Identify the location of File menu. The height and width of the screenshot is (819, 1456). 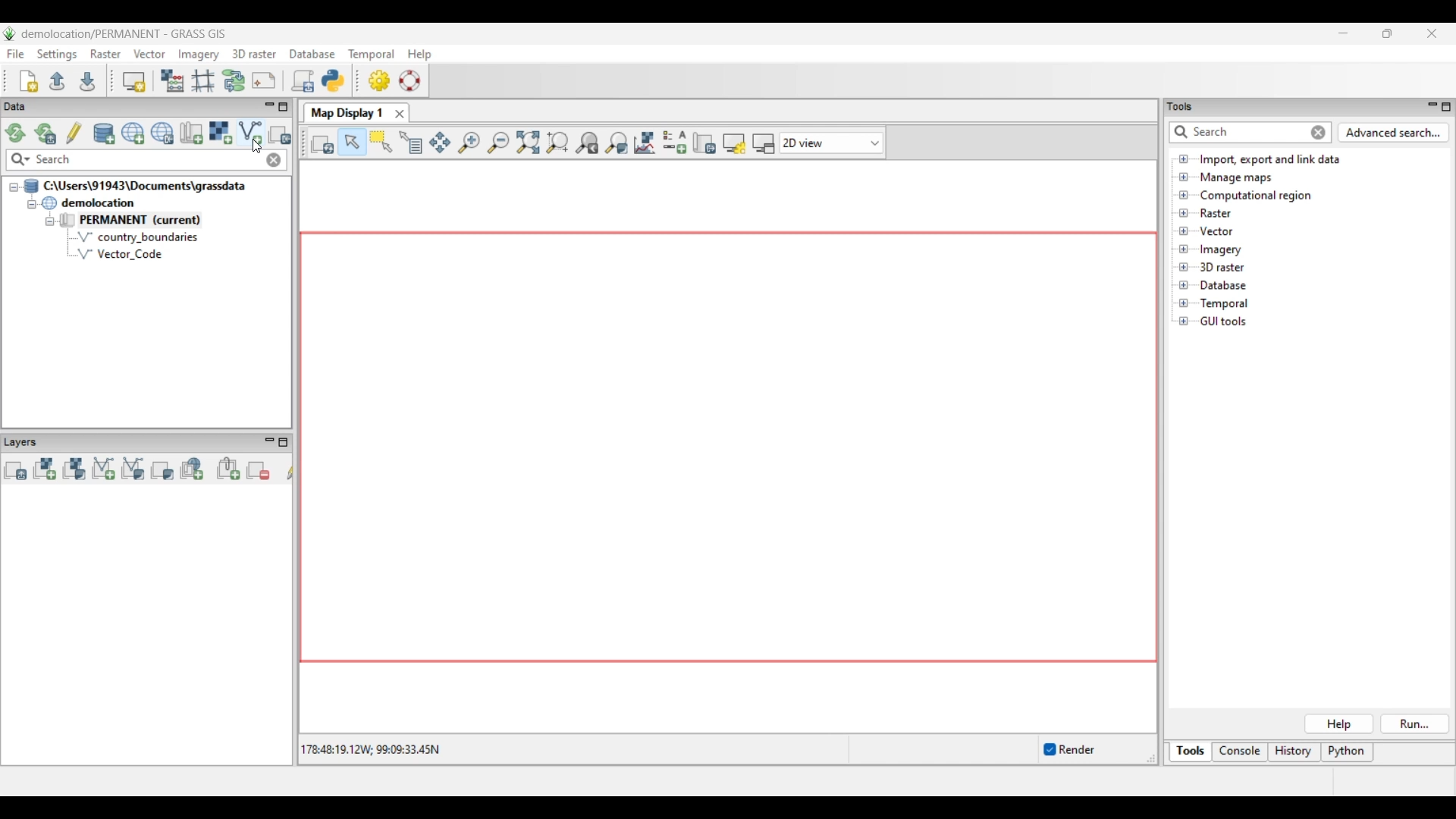
(16, 54).